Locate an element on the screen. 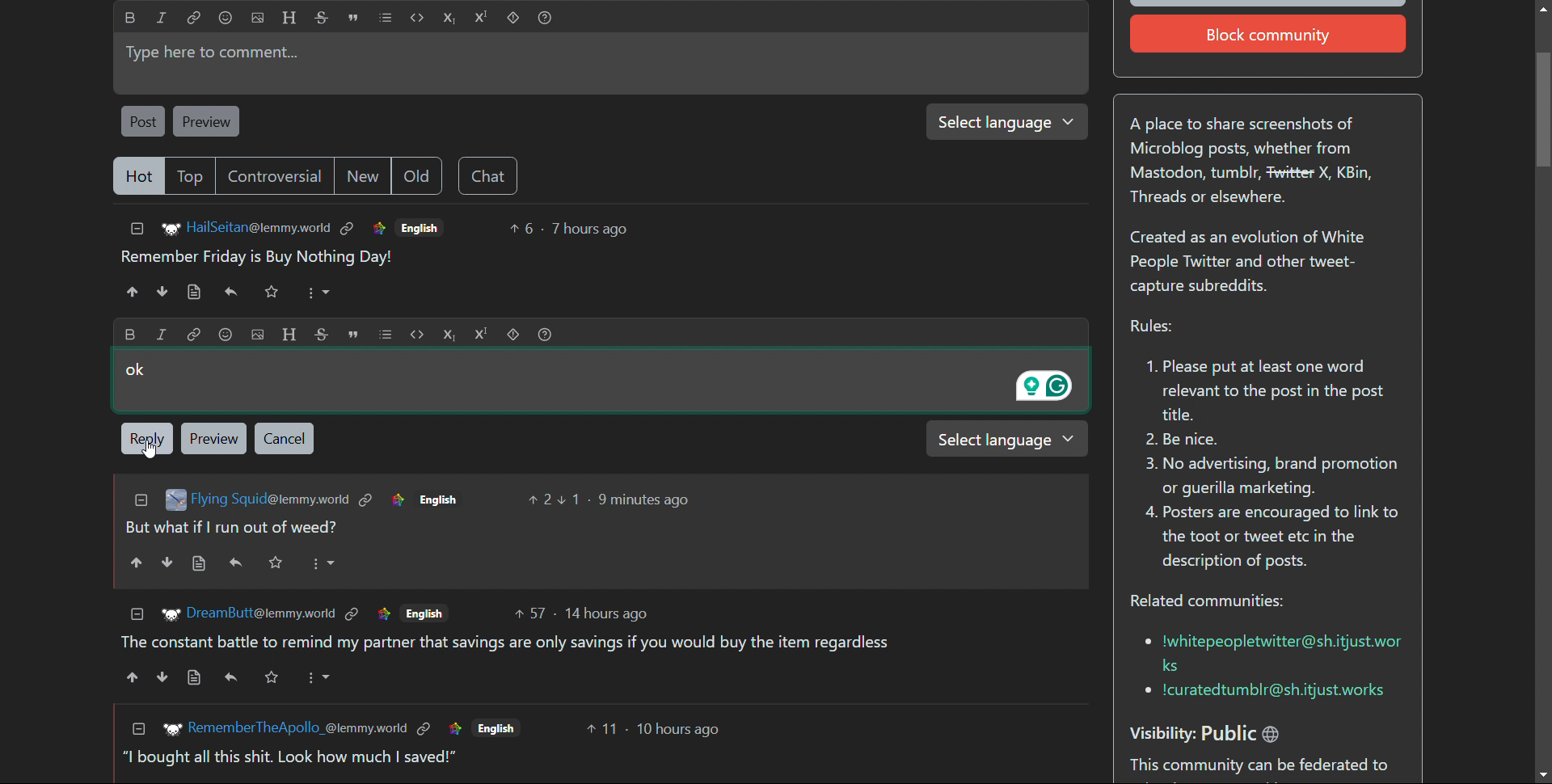 The width and height of the screenshot is (1552, 784). preview is located at coordinates (205, 121).